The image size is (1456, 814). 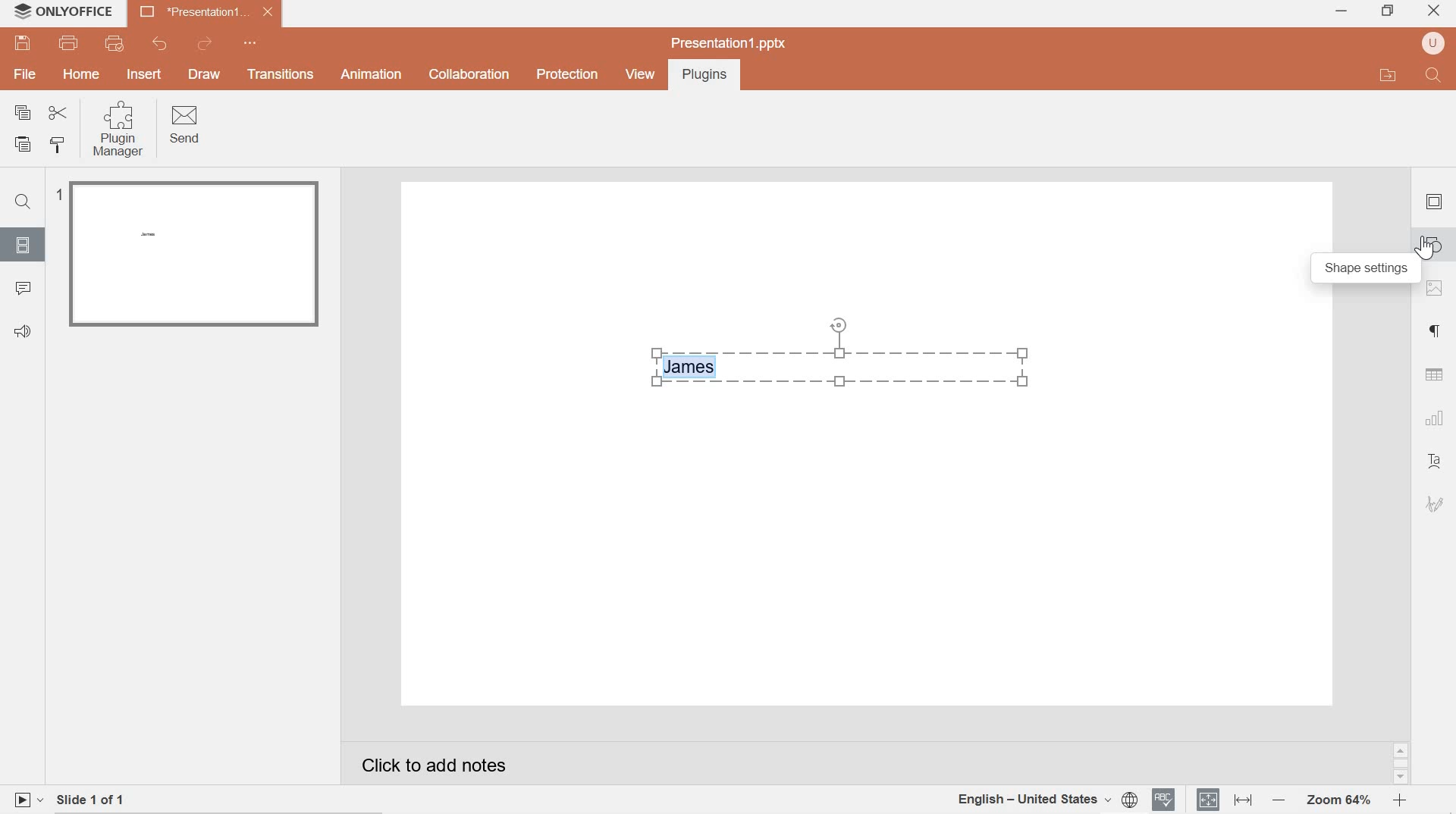 What do you see at coordinates (1434, 418) in the screenshot?
I see `chart` at bounding box center [1434, 418].